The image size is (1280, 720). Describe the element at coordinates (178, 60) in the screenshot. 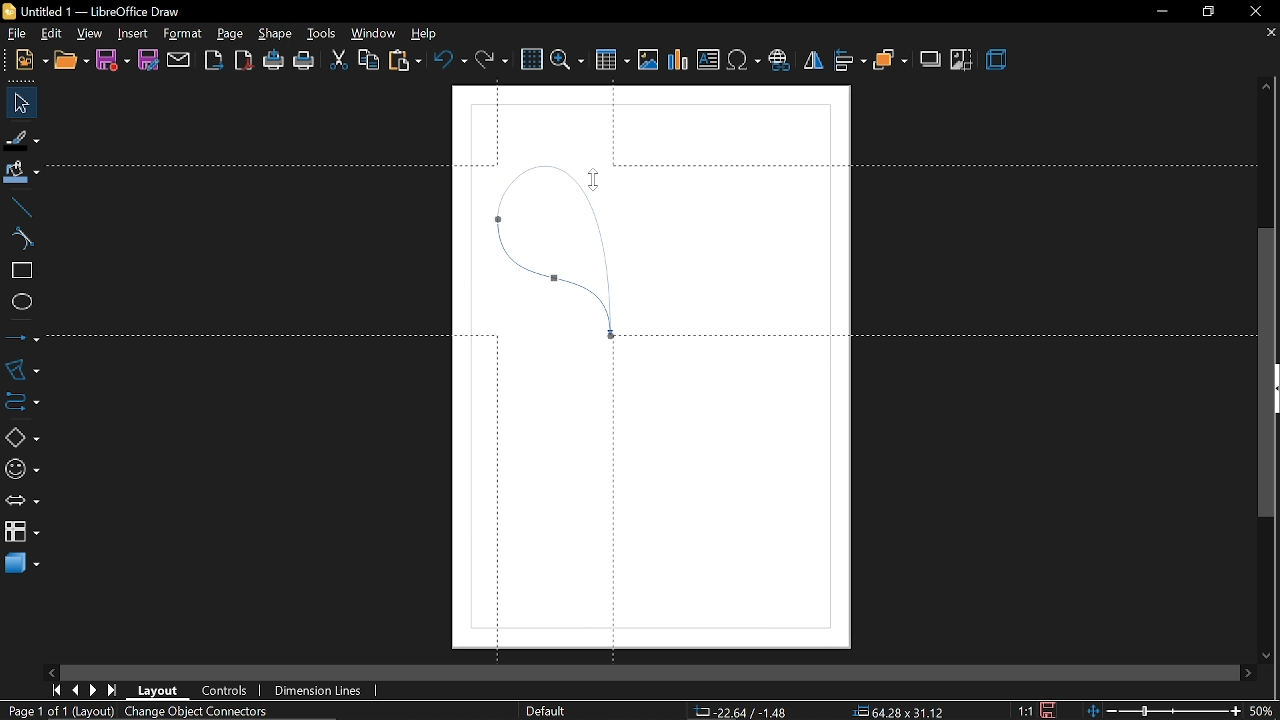

I see `attach` at that location.